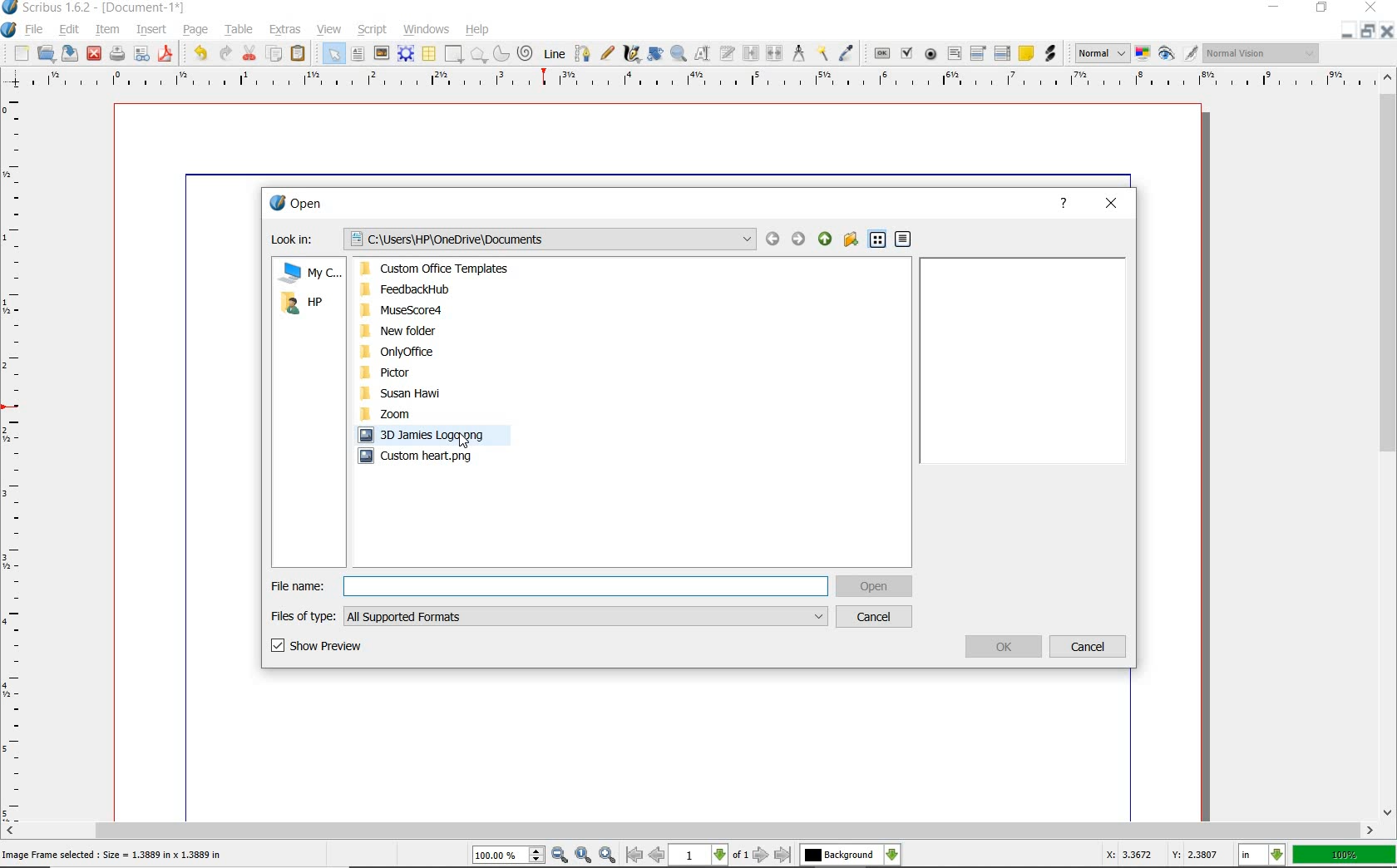  Describe the element at coordinates (526, 52) in the screenshot. I see `spiral` at that location.